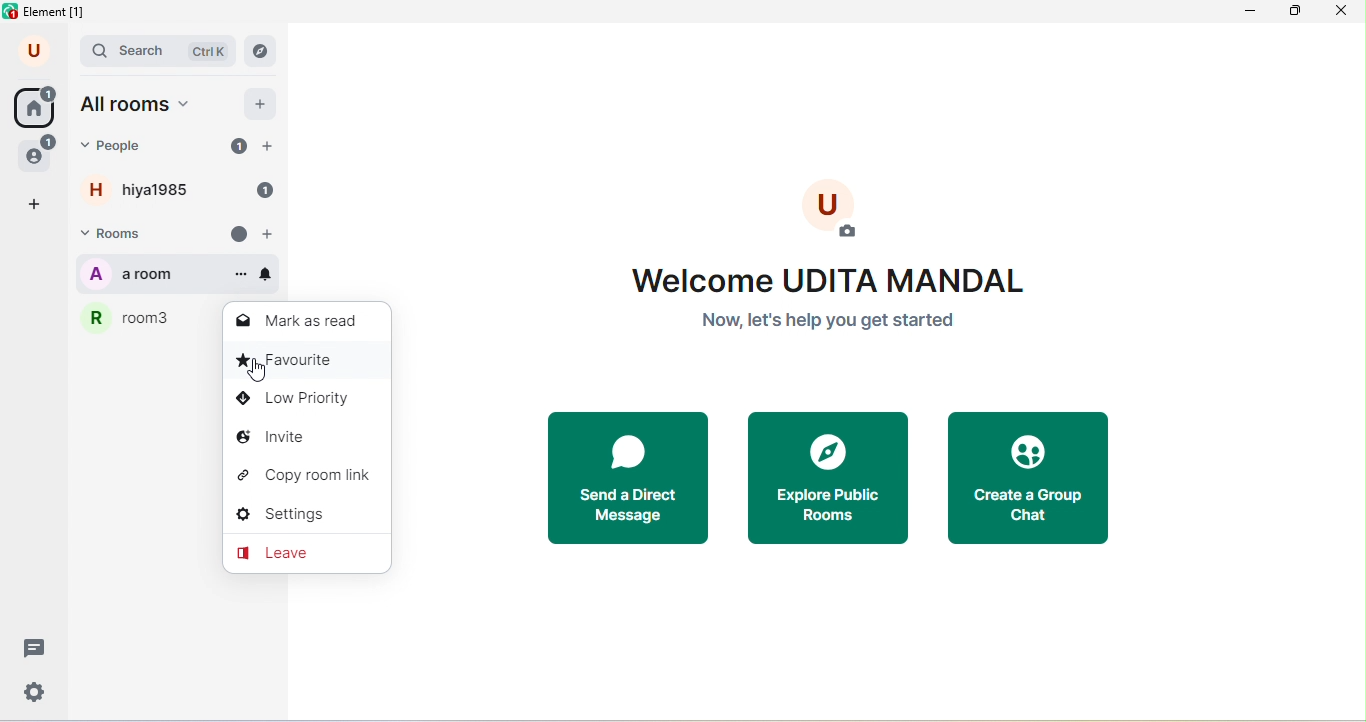 Image resolution: width=1366 pixels, height=722 pixels. I want to click on maximize, so click(1296, 14).